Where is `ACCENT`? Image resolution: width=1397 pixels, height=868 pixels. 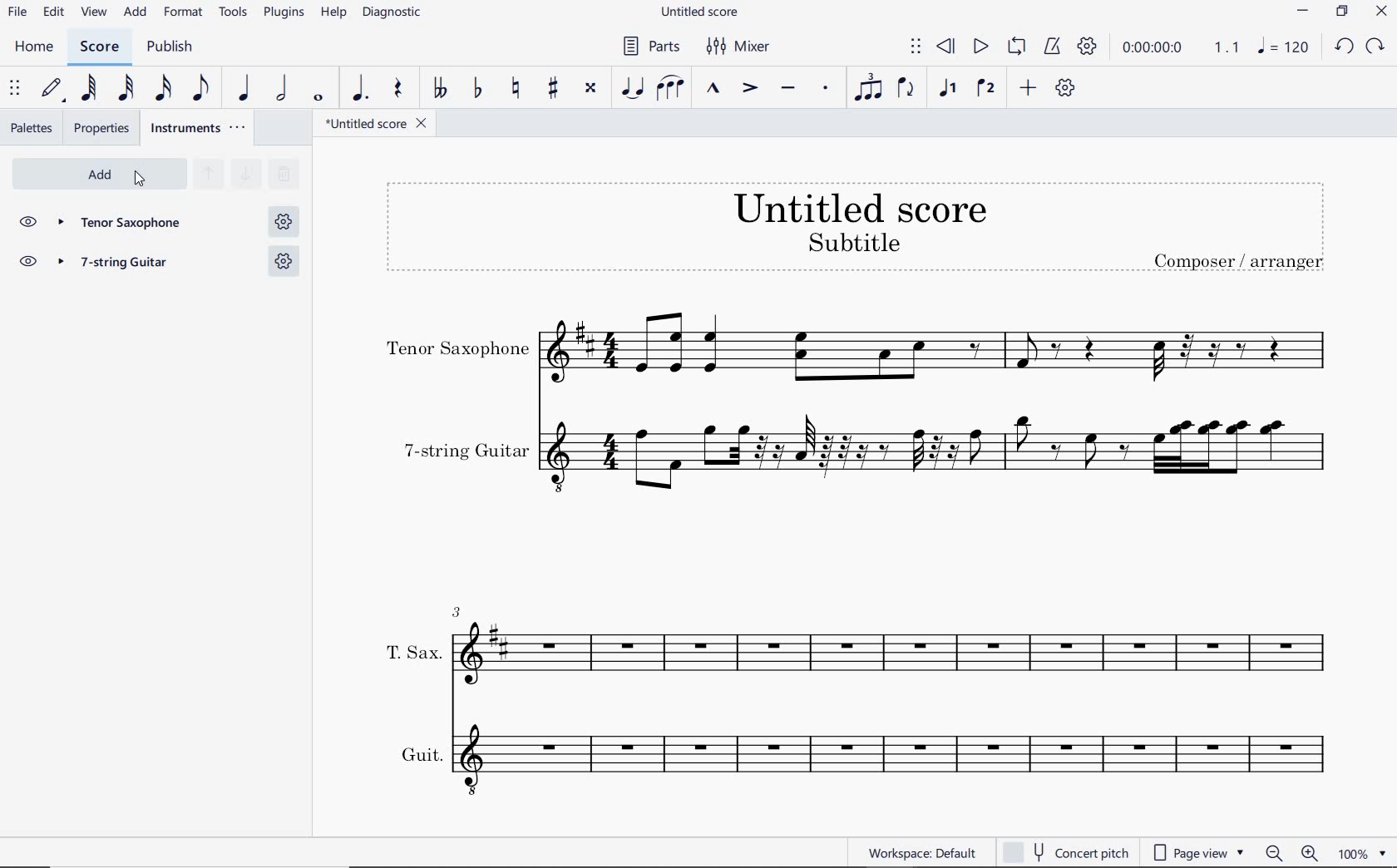
ACCENT is located at coordinates (749, 89).